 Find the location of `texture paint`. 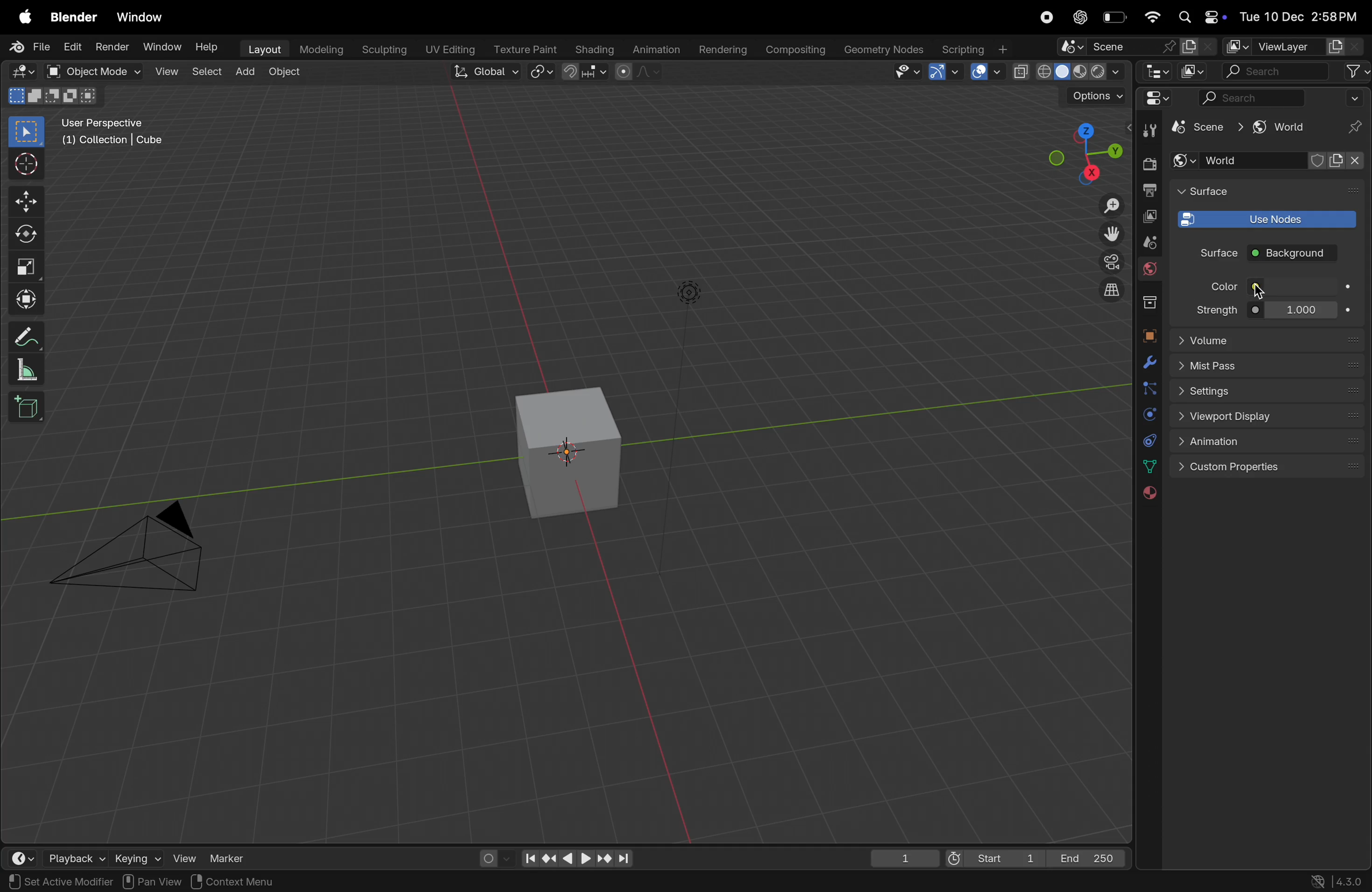

texture paint is located at coordinates (522, 50).